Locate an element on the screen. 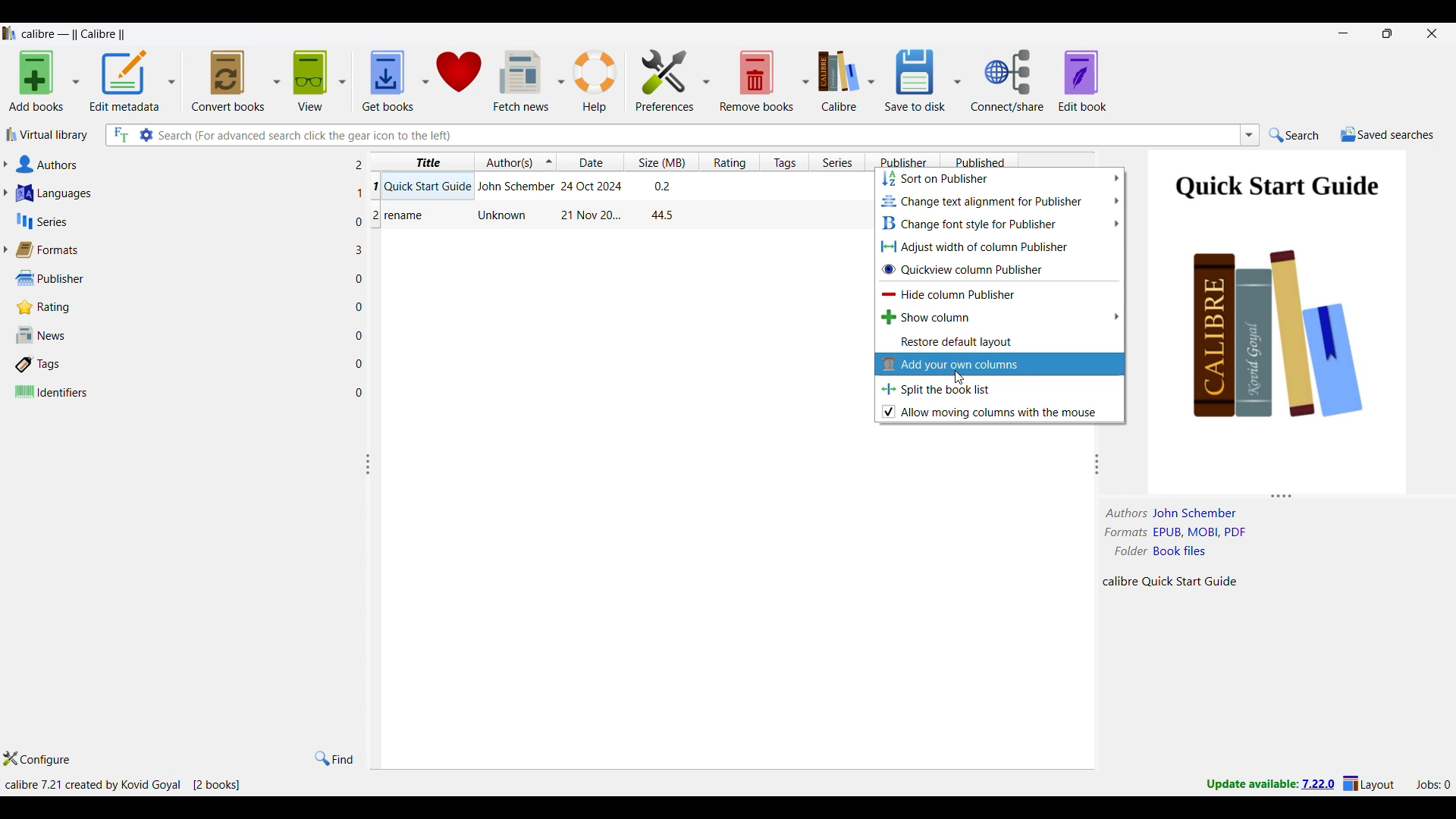 The height and width of the screenshot is (819, 1456). 0 is located at coordinates (361, 281).